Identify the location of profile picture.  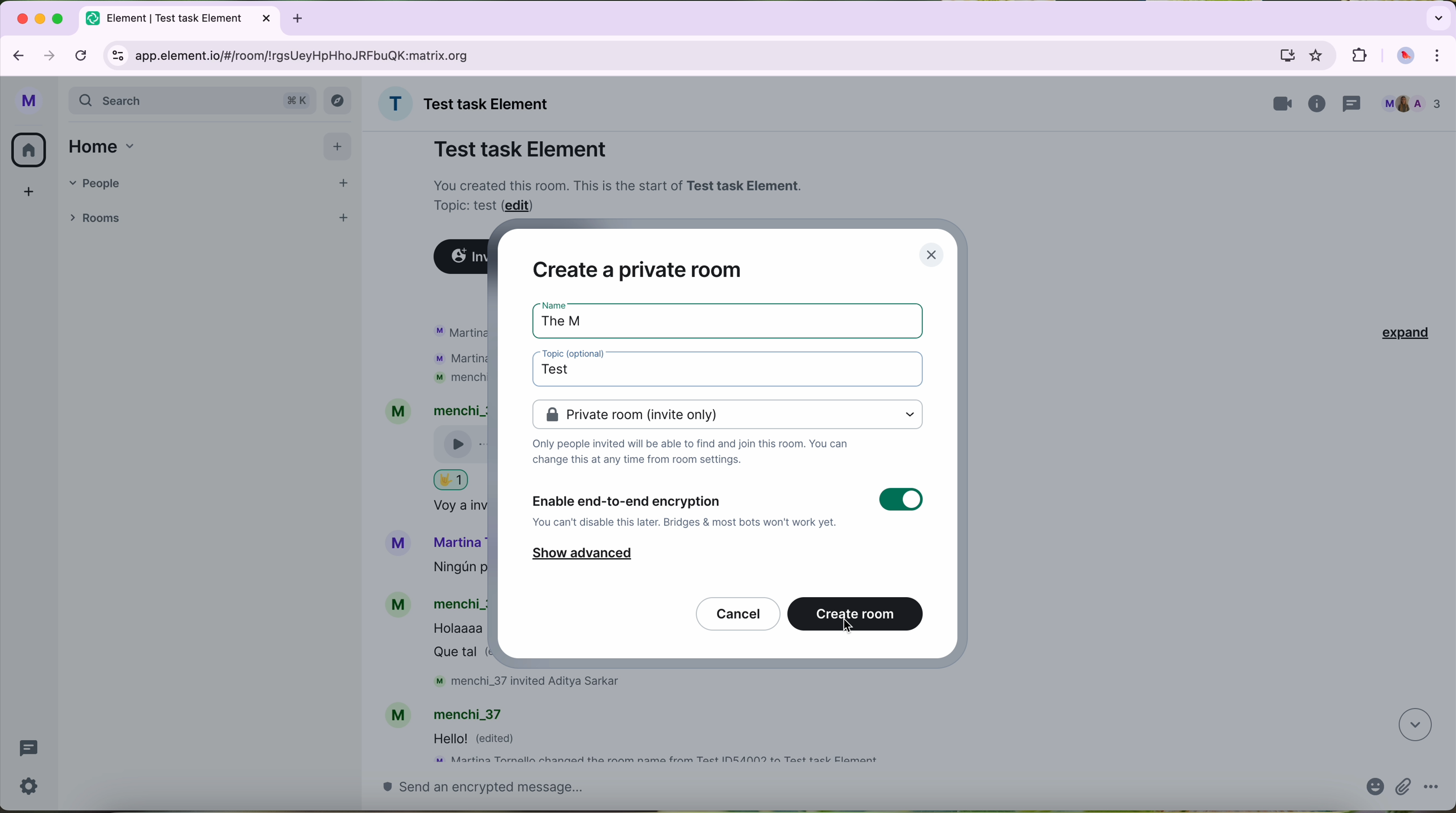
(1405, 56).